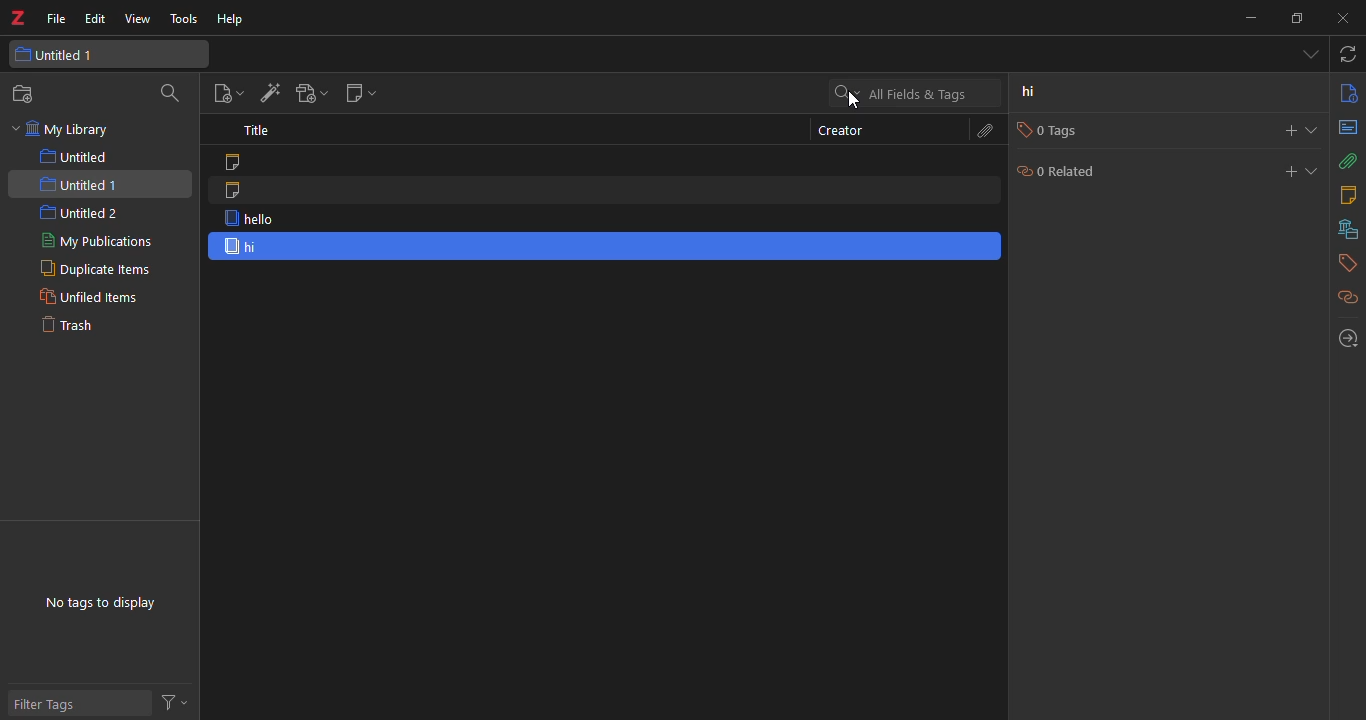 This screenshot has width=1366, height=720. I want to click on file, so click(55, 21).